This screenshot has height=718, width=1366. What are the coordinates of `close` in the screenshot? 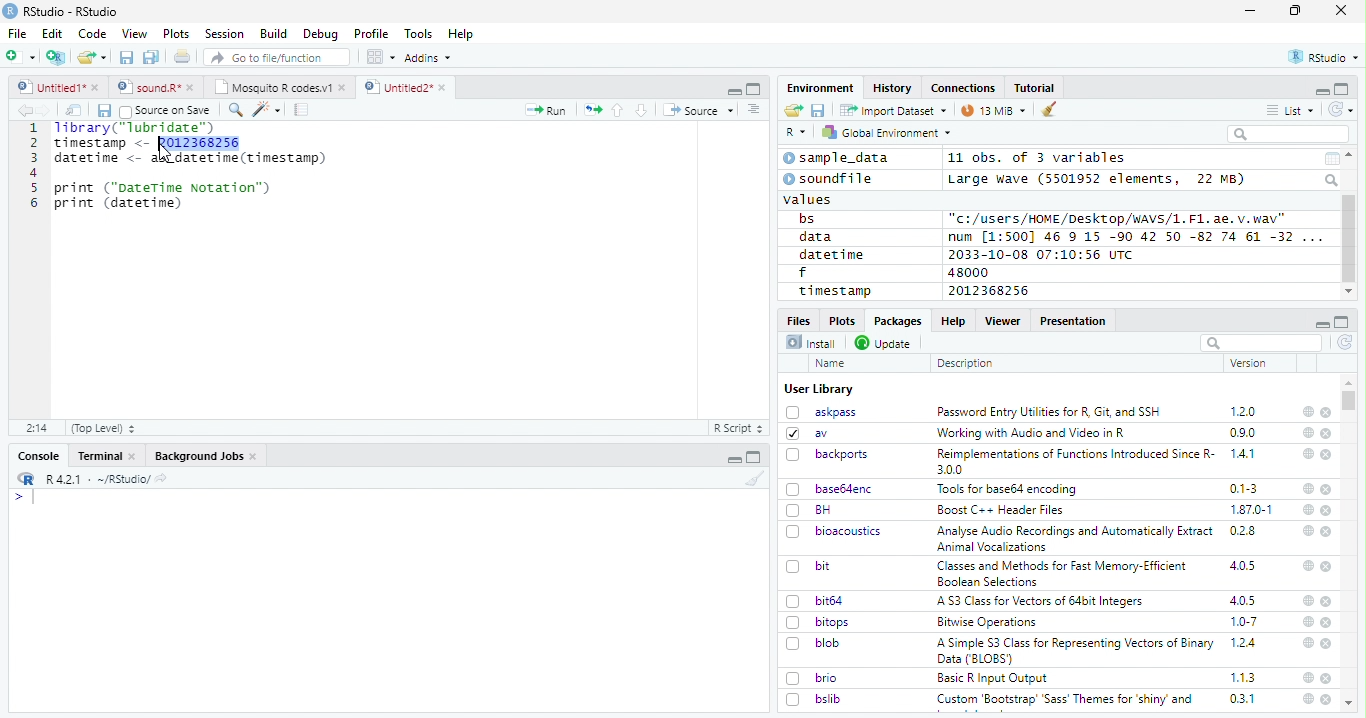 It's located at (1327, 566).